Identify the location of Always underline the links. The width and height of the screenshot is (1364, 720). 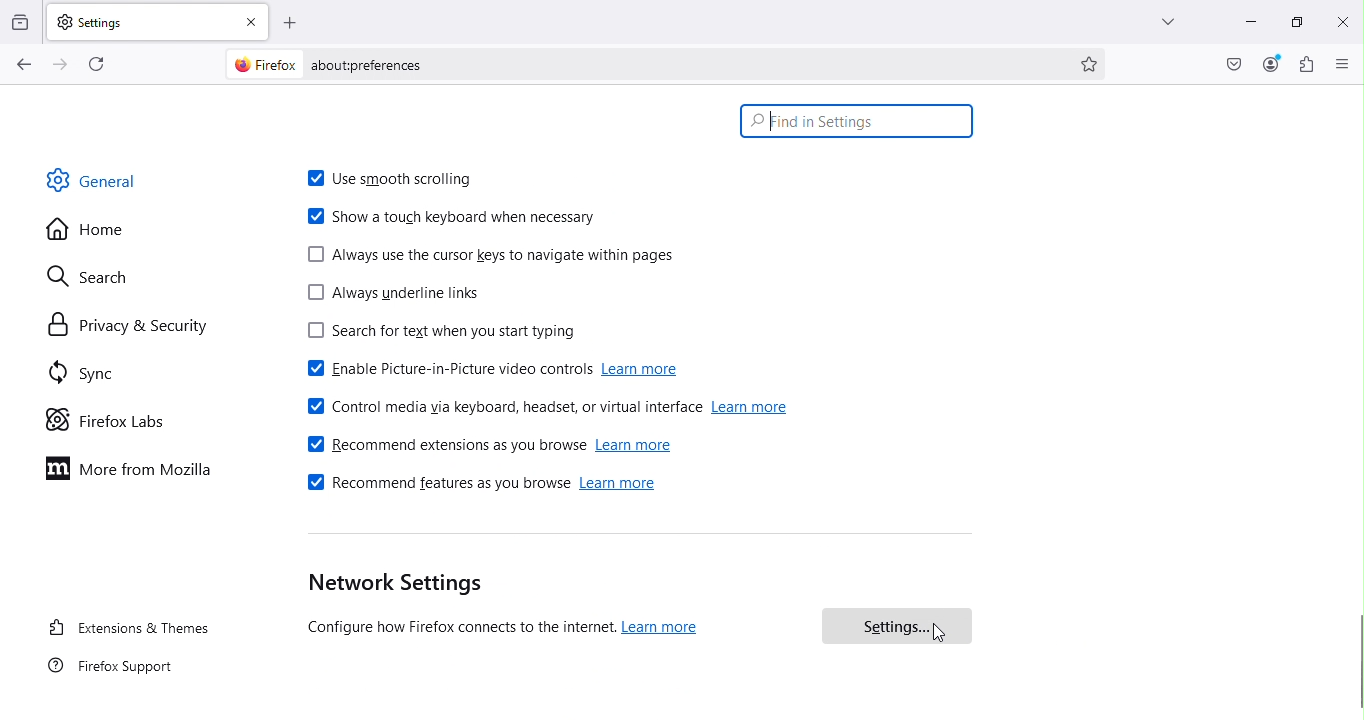
(392, 296).